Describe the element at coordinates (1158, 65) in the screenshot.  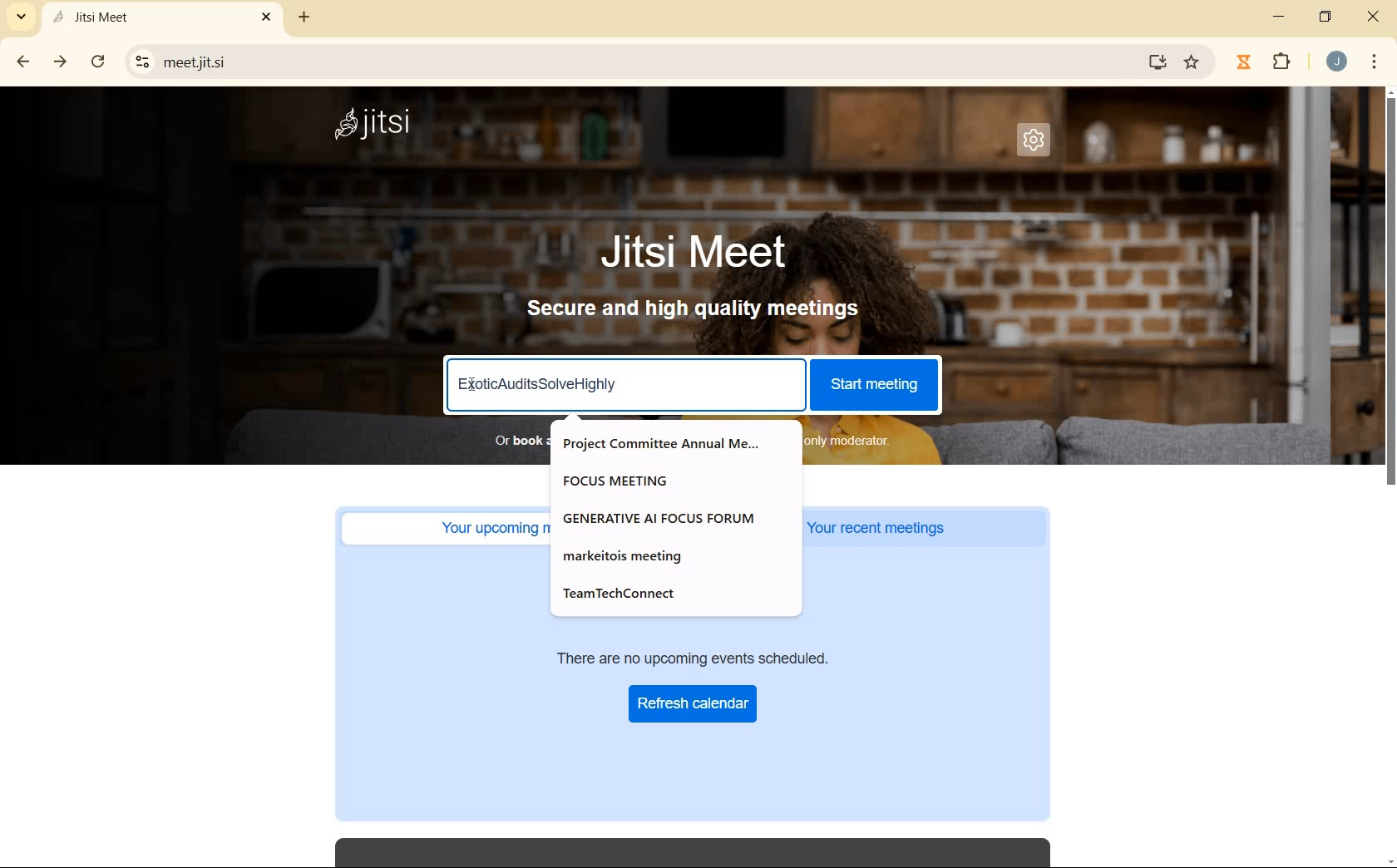
I see `install` at that location.